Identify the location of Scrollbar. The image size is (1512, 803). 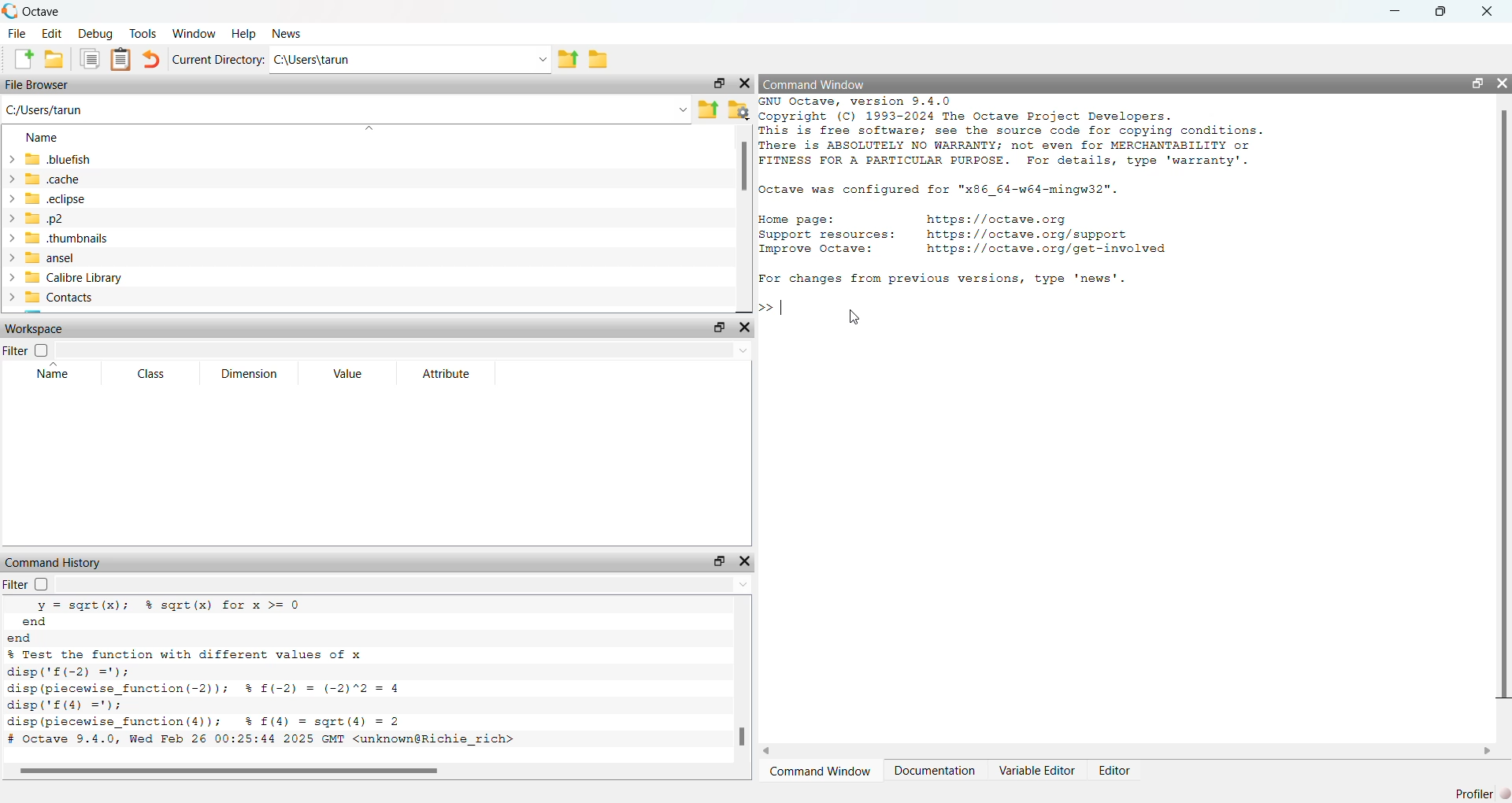
(242, 771).